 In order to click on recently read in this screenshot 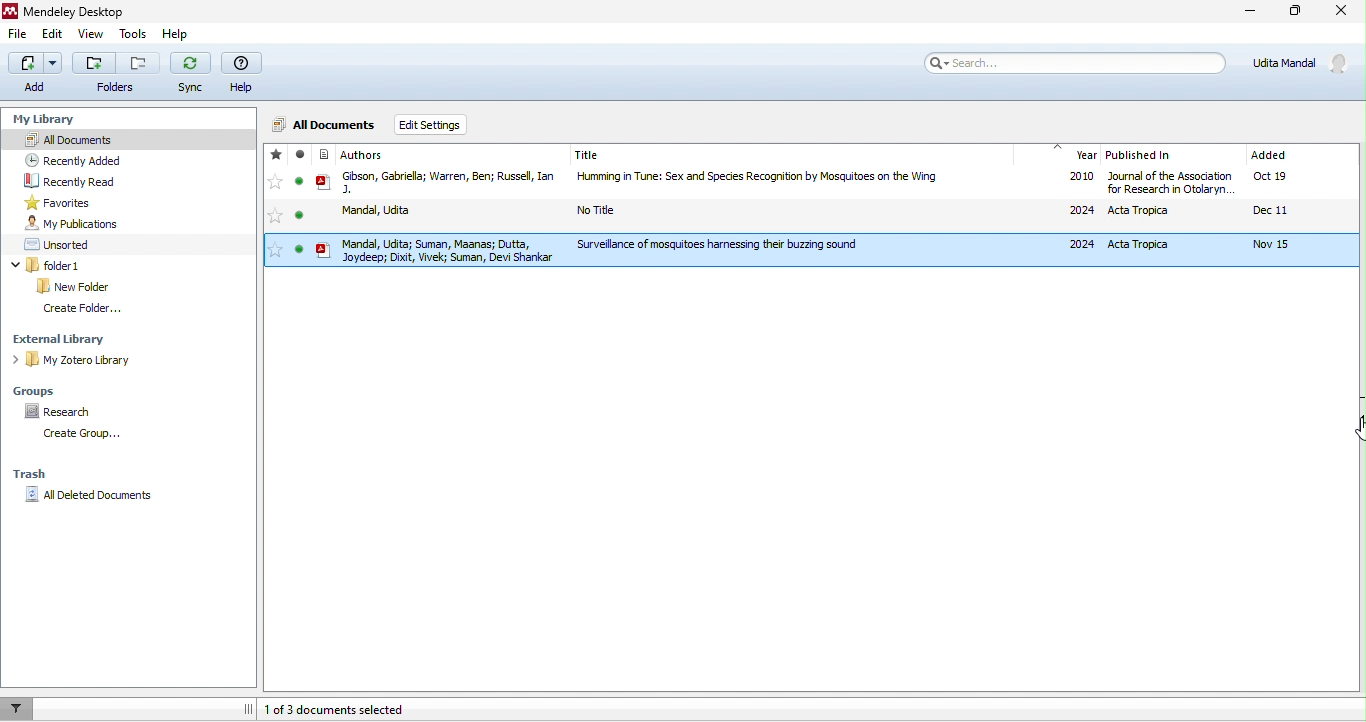, I will do `click(72, 180)`.